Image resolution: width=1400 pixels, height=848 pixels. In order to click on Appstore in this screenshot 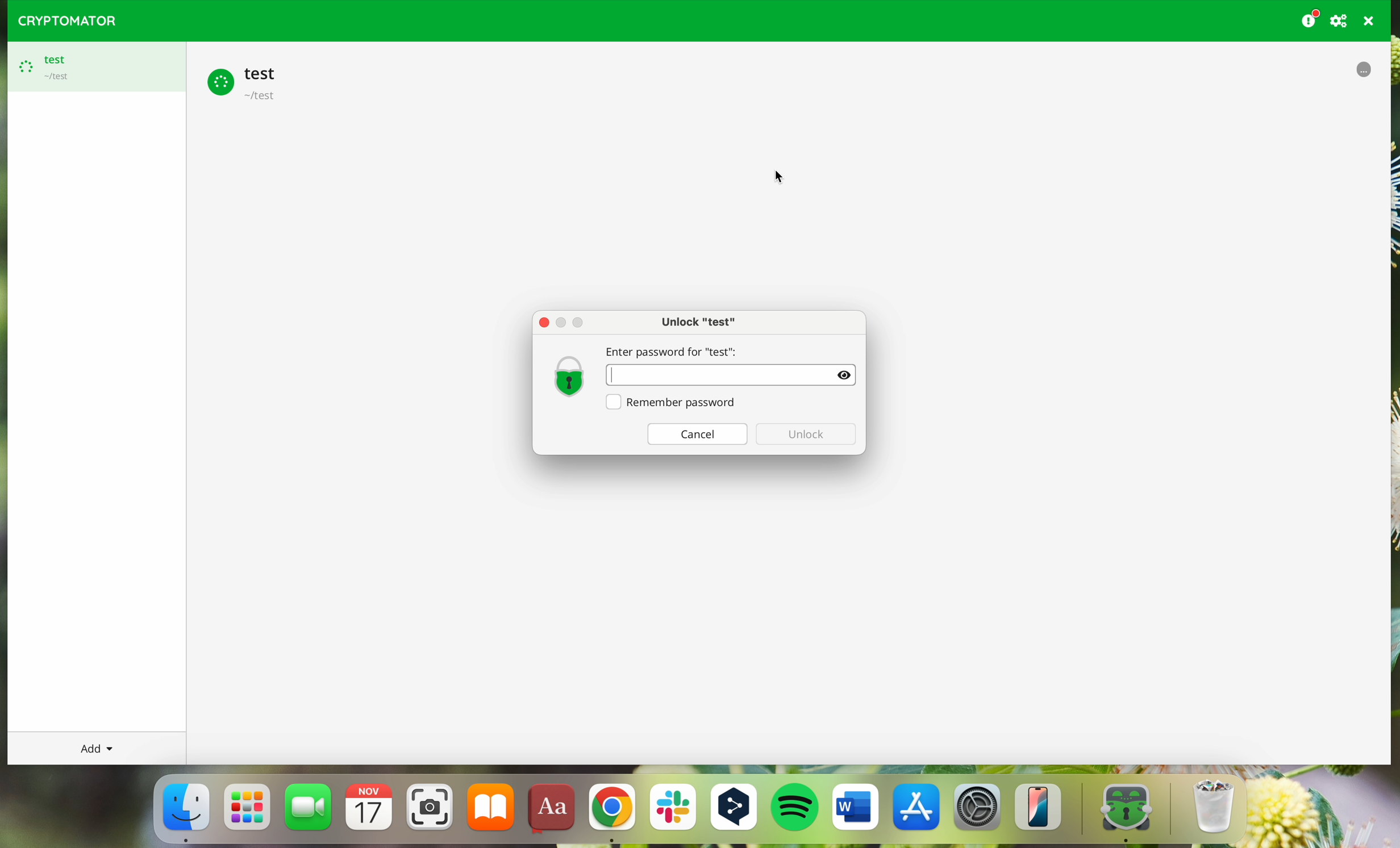, I will do `click(918, 811)`.